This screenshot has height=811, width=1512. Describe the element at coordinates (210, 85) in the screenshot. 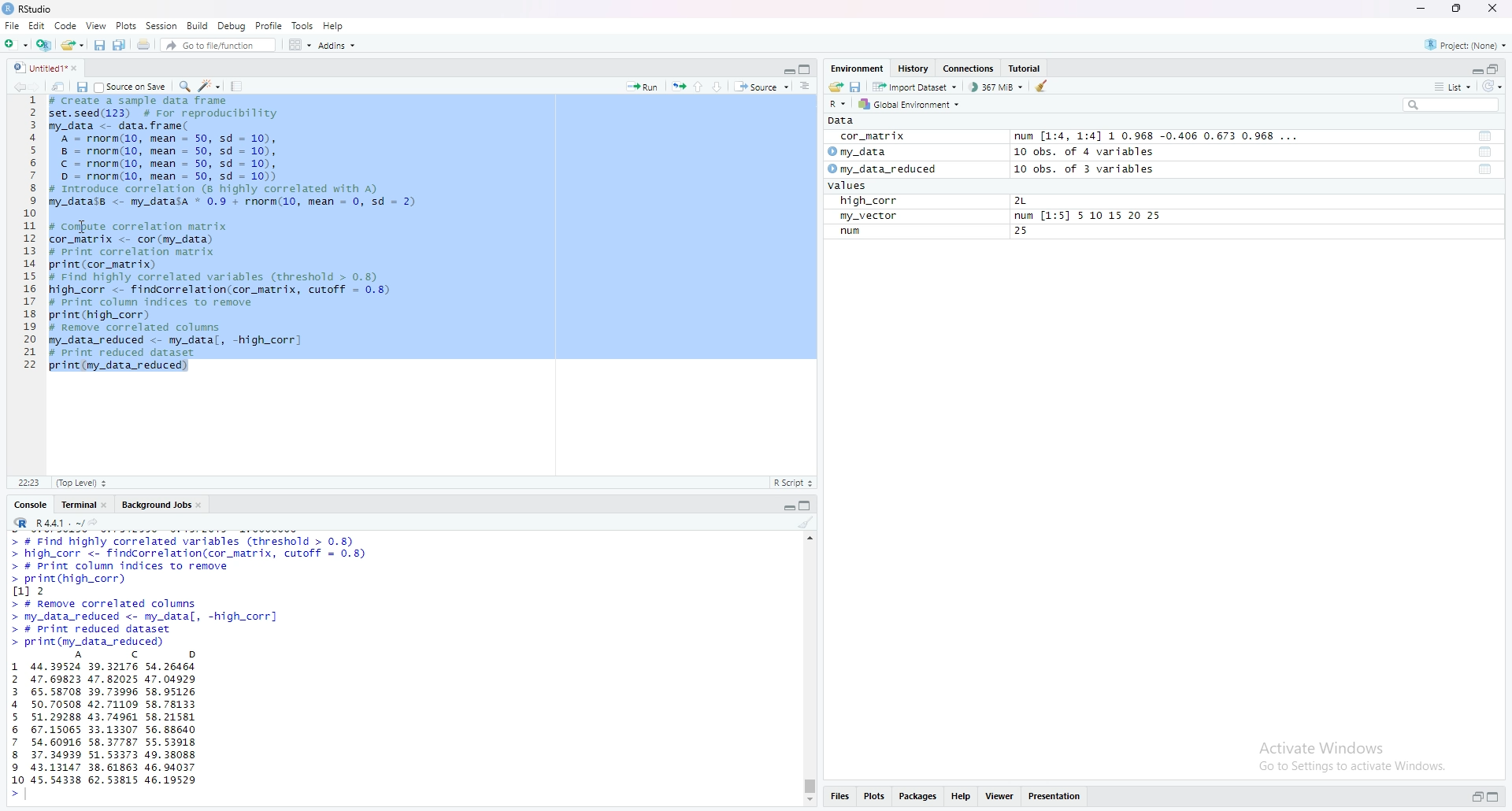

I see `edit` at that location.